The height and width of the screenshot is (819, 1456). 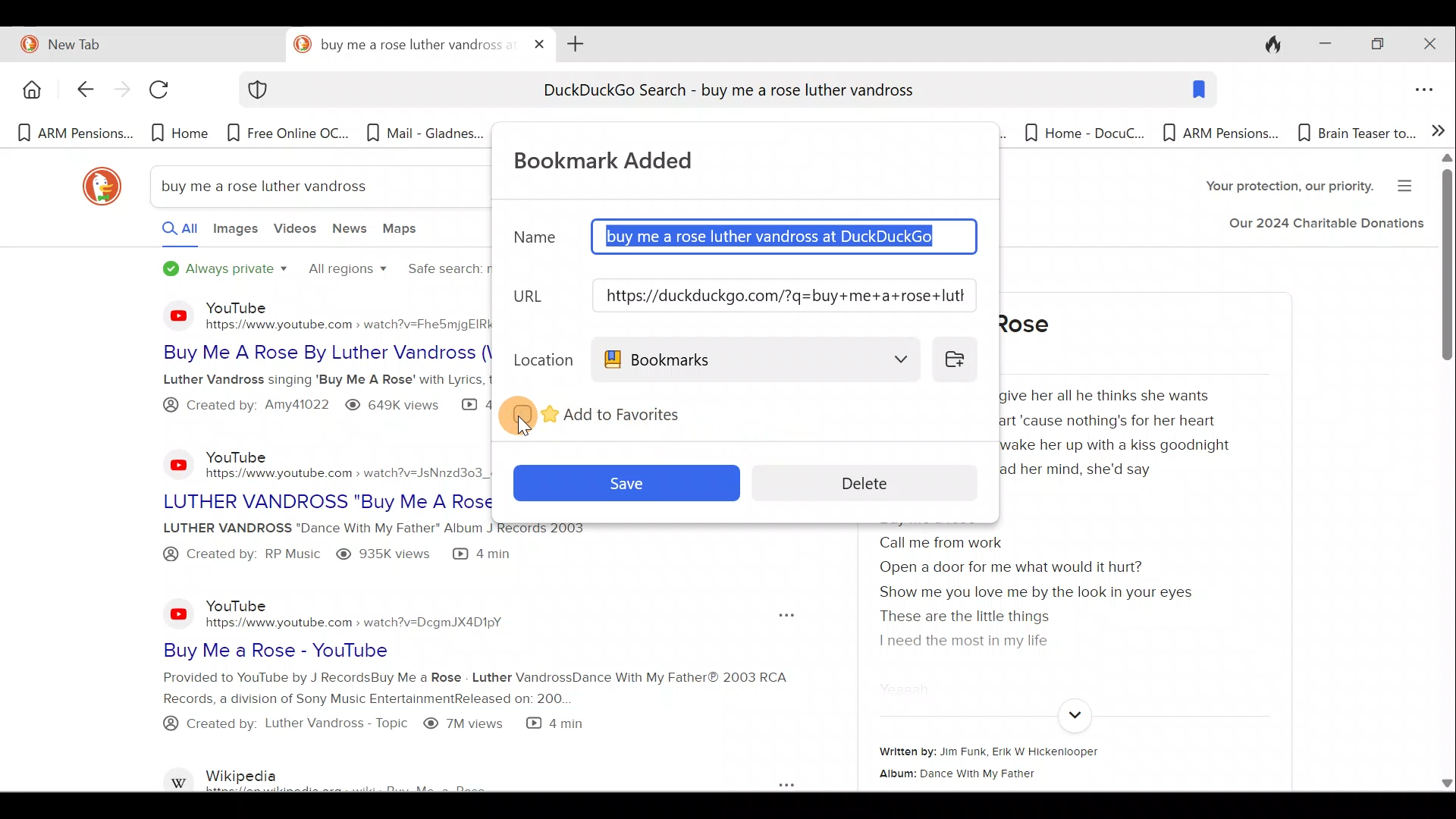 I want to click on Close window, so click(x=1432, y=44).